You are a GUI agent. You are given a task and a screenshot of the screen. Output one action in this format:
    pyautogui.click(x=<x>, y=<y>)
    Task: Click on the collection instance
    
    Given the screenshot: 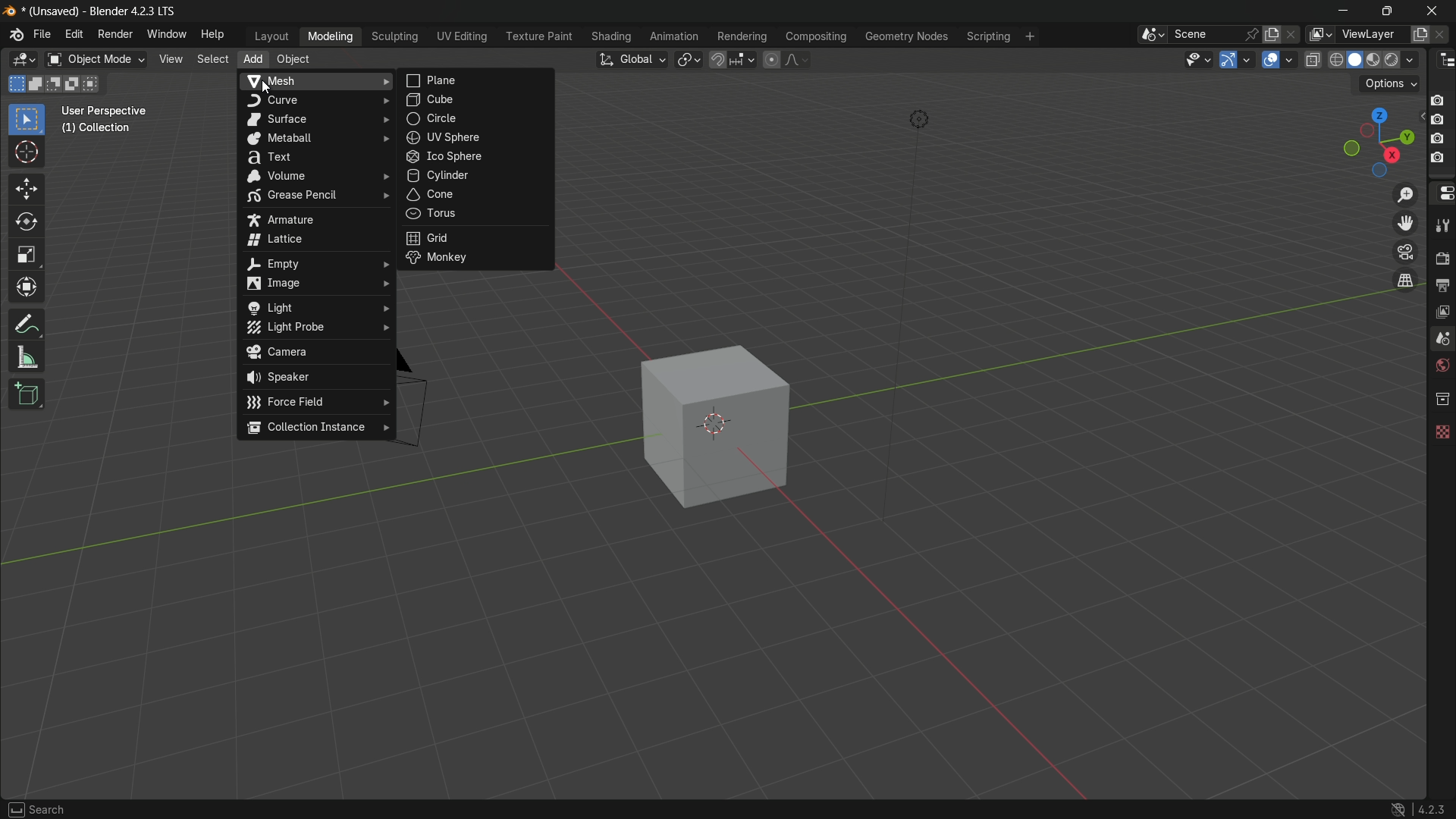 What is the action you would take?
    pyautogui.click(x=318, y=428)
    